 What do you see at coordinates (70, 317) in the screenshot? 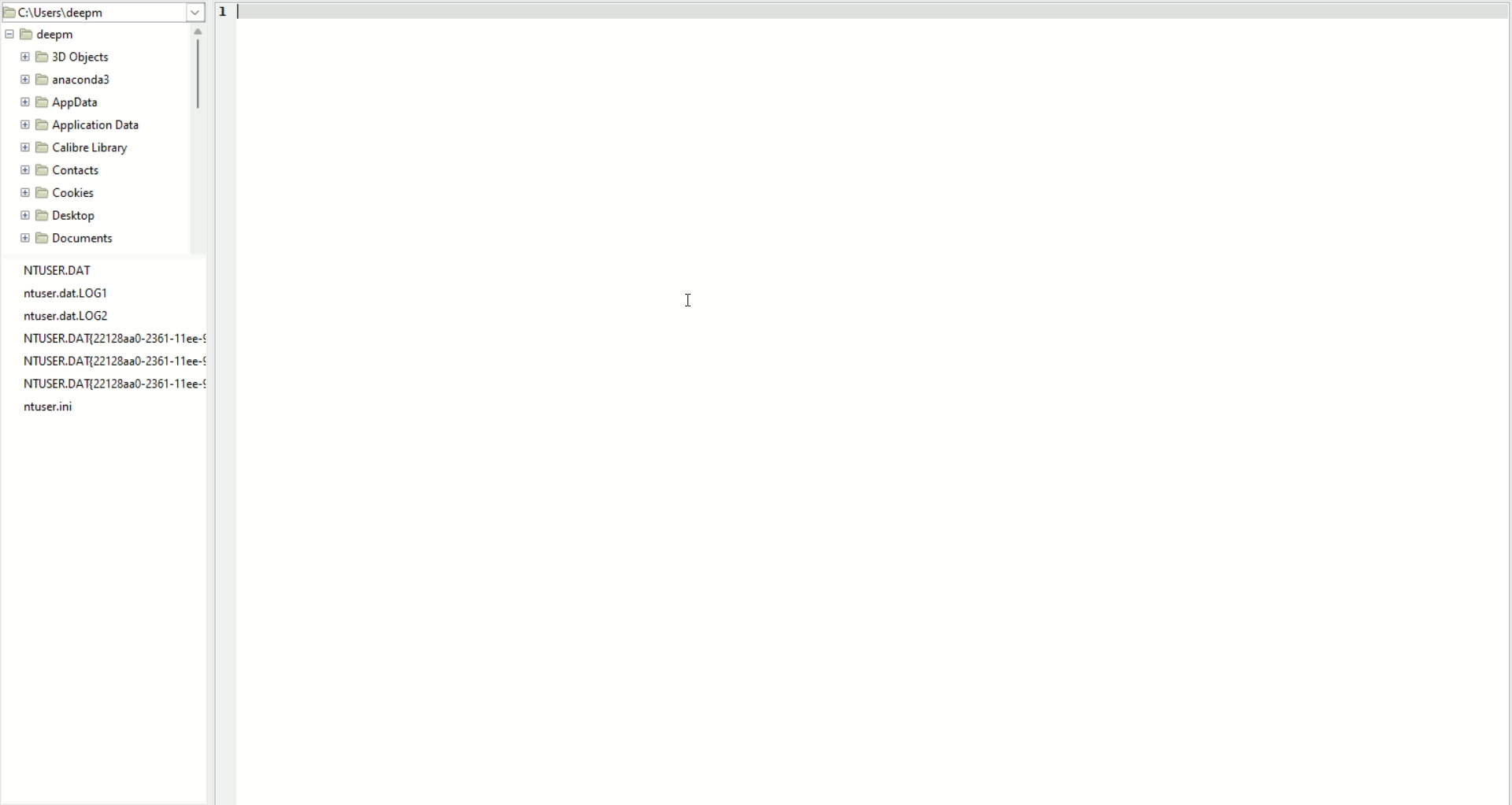
I see `file name` at bounding box center [70, 317].